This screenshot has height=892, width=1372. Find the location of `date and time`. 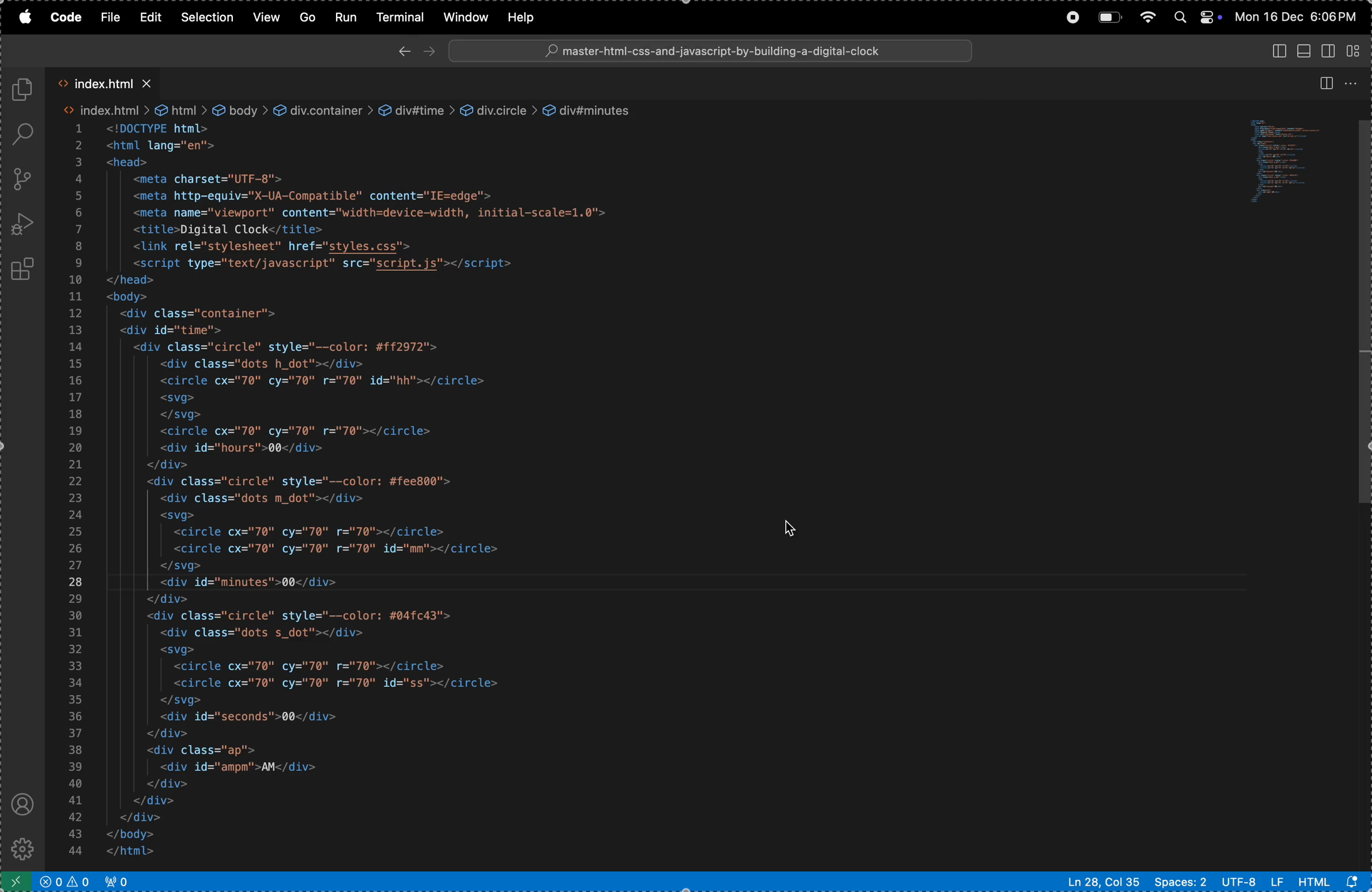

date and time is located at coordinates (1299, 18).